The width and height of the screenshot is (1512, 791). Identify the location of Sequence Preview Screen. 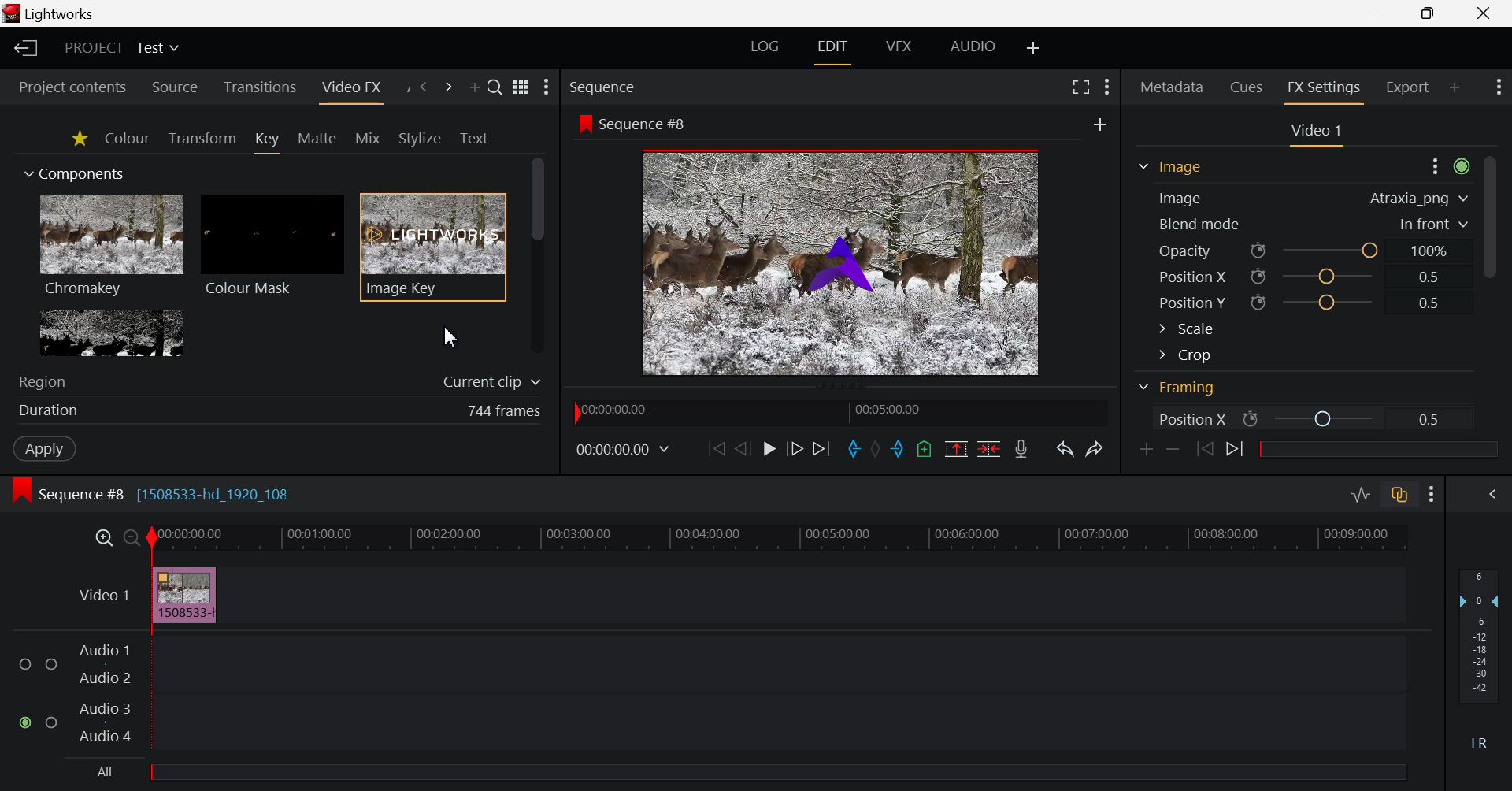
(841, 262).